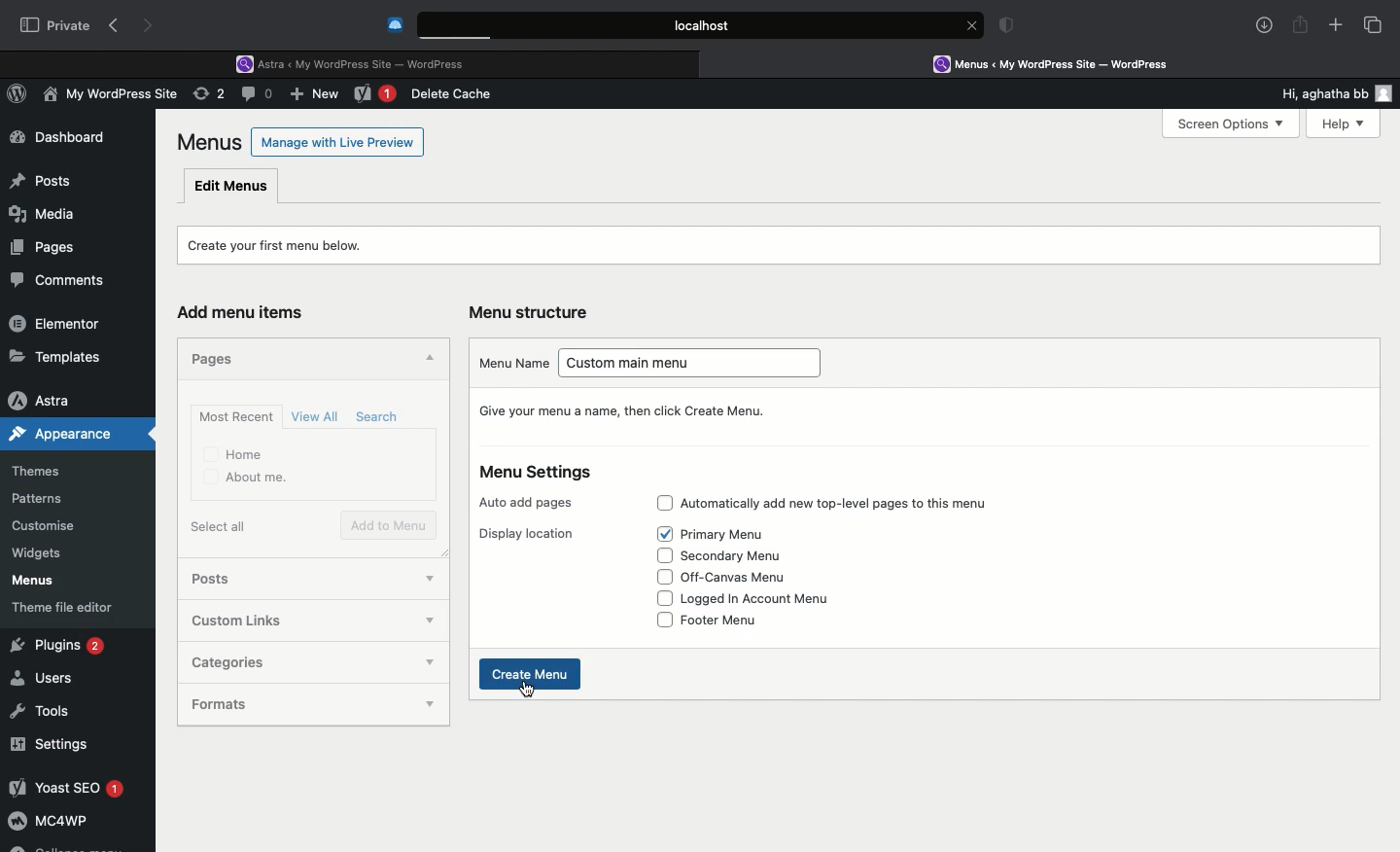 The height and width of the screenshot is (852, 1400). What do you see at coordinates (526, 534) in the screenshot?
I see `Display location` at bounding box center [526, 534].